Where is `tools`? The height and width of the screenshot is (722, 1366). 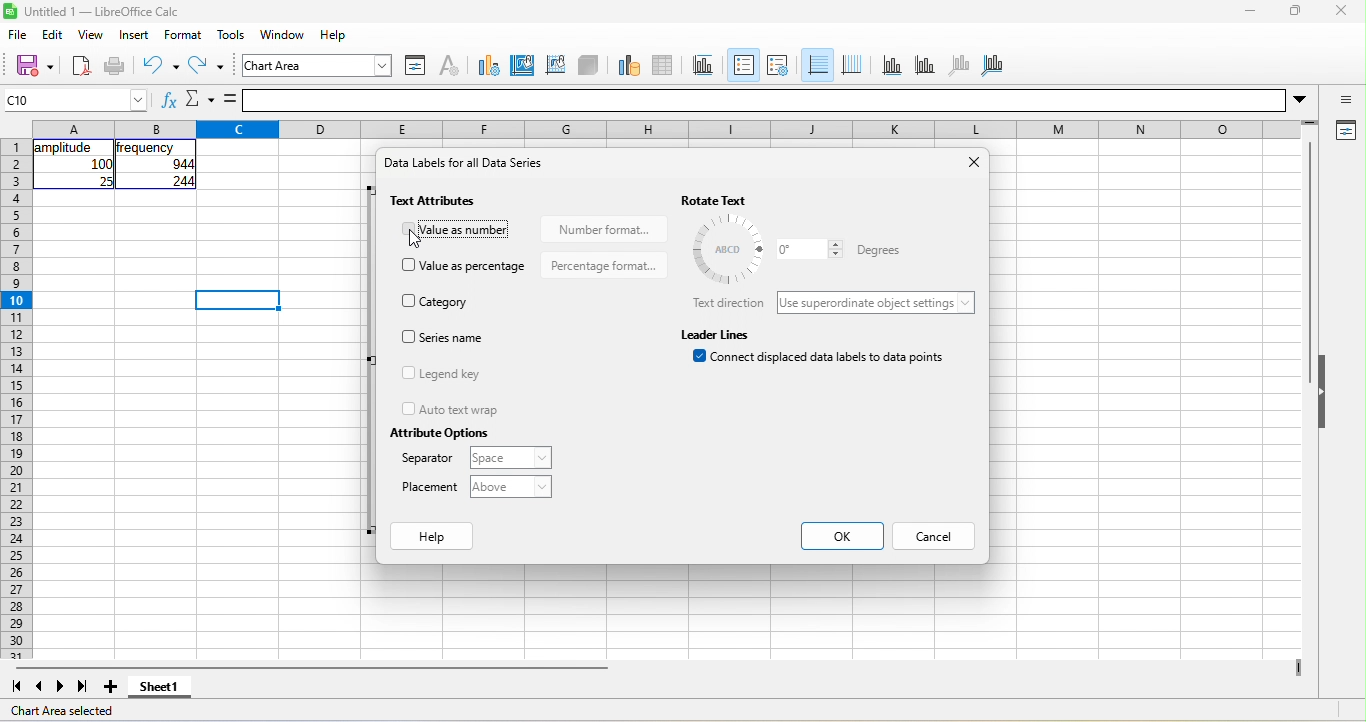
tools is located at coordinates (231, 35).